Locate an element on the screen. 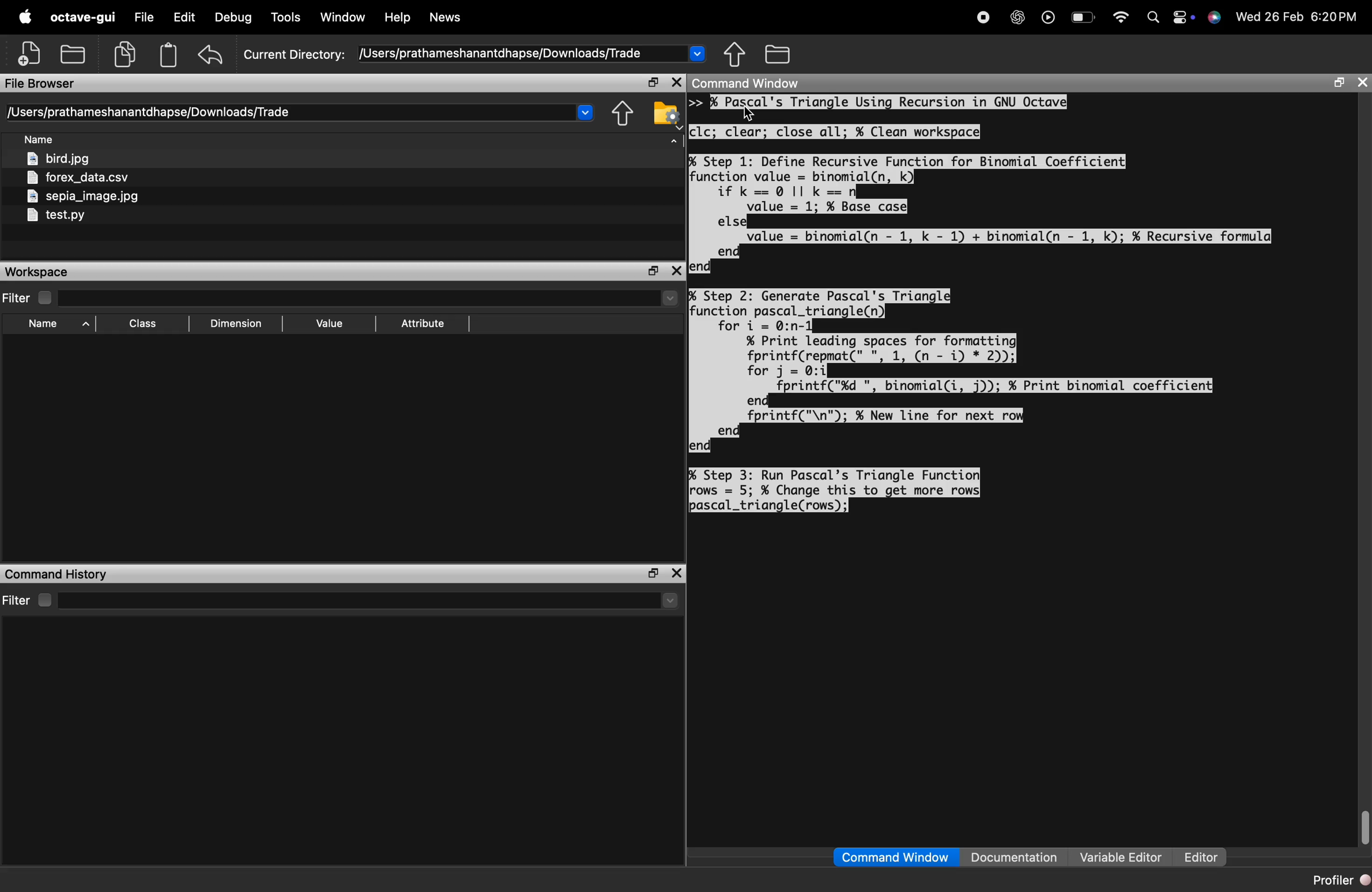 Image resolution: width=1372 pixels, height=892 pixels. New file is located at coordinates (29, 53).